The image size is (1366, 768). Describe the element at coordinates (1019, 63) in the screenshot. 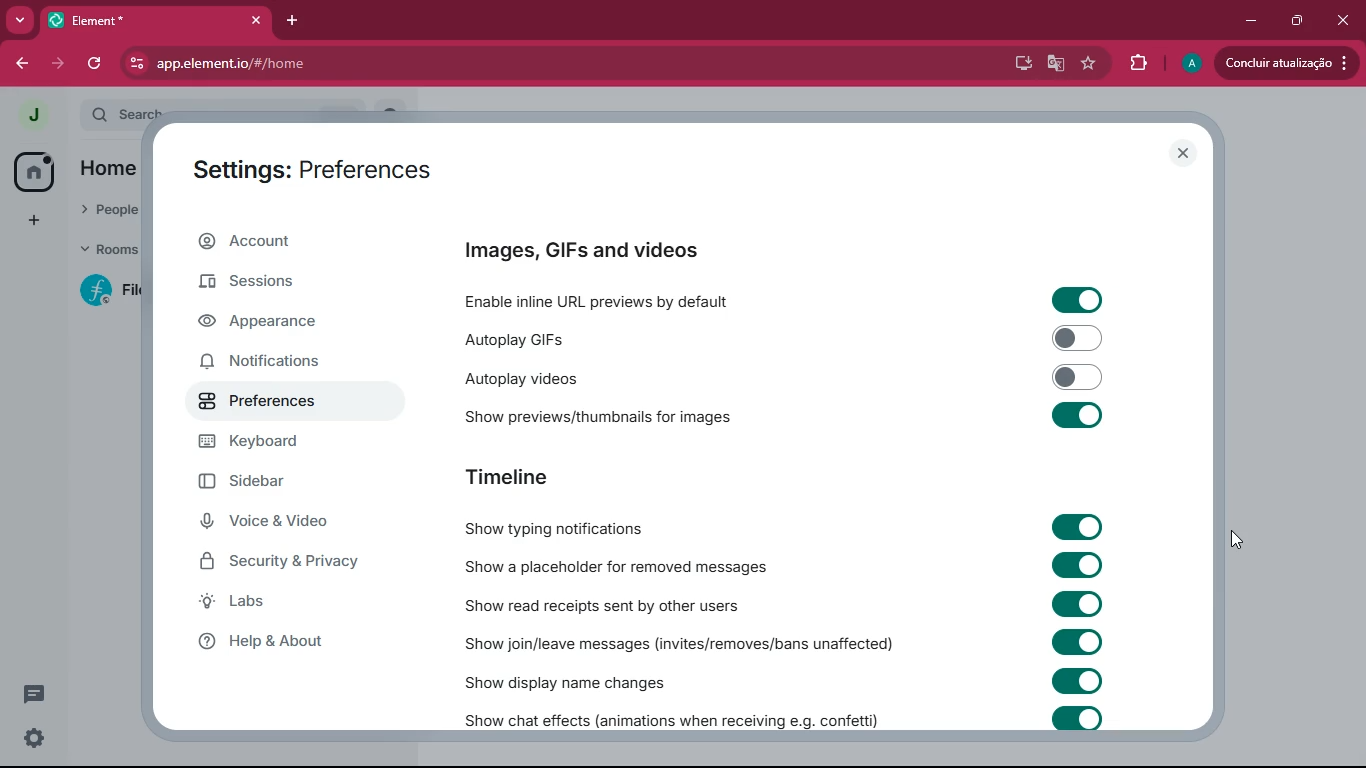

I see `desktop` at that location.